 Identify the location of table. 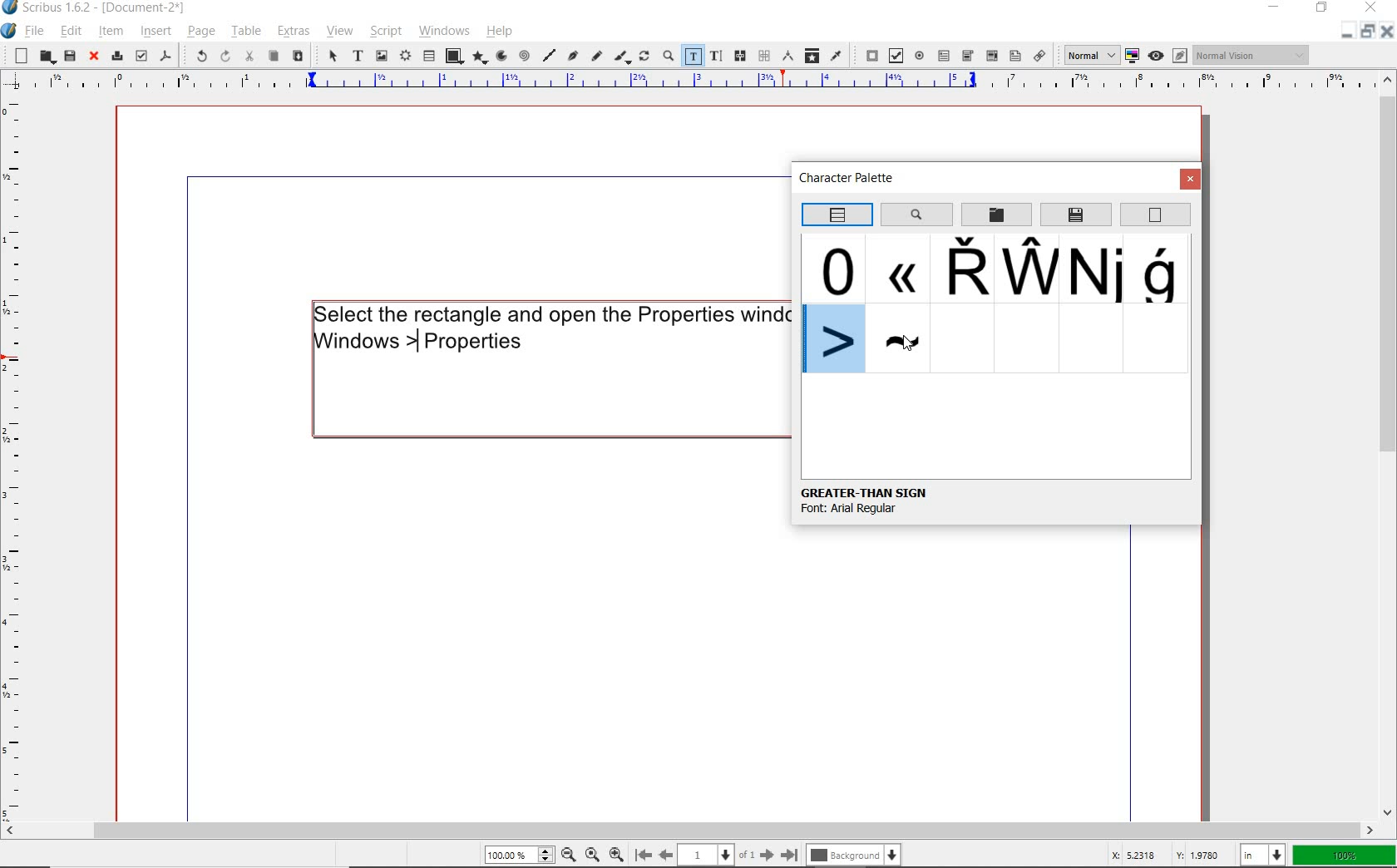
(428, 57).